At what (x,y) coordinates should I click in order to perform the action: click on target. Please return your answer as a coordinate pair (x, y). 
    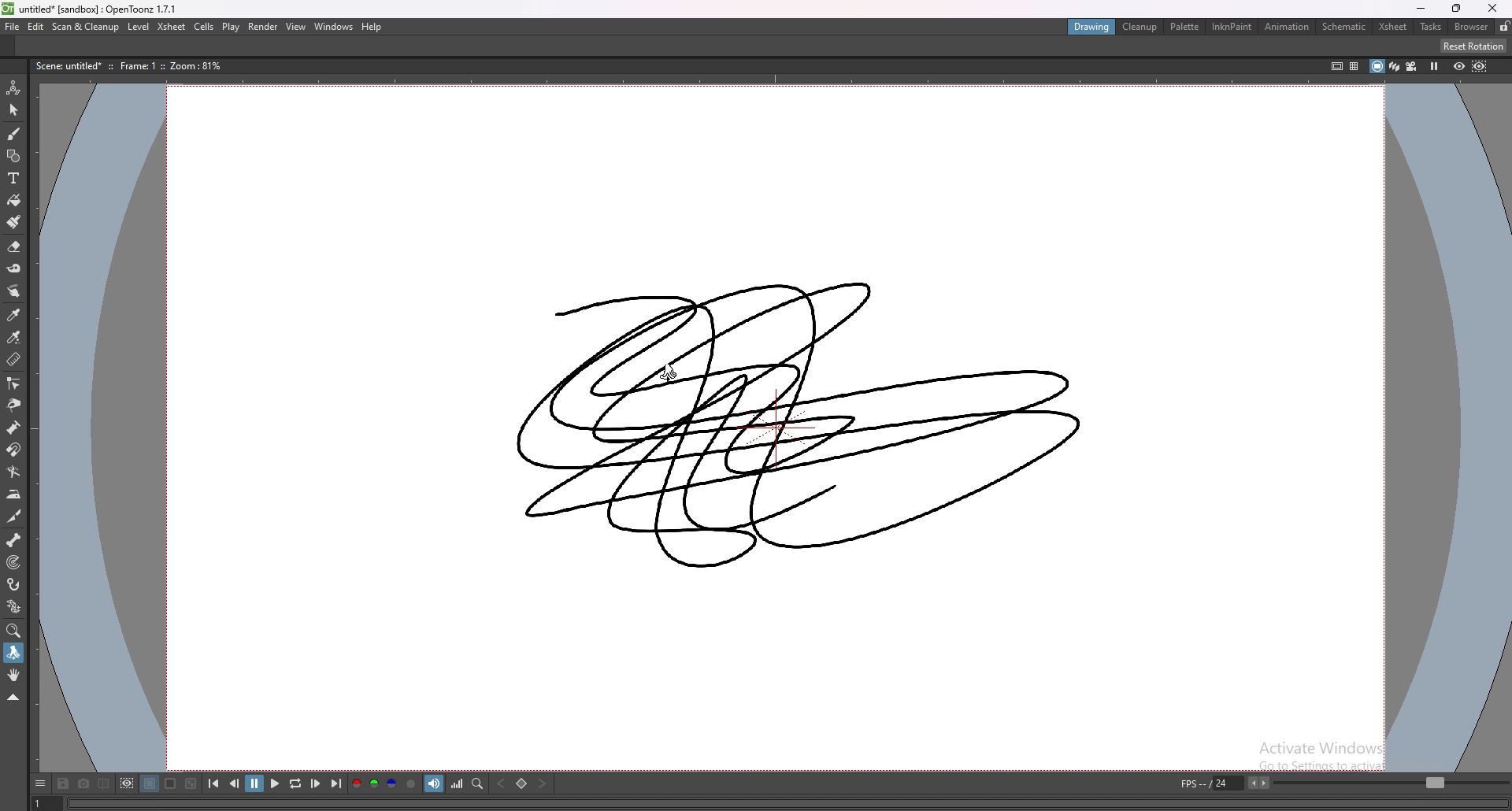
    Looking at the image, I should click on (12, 562).